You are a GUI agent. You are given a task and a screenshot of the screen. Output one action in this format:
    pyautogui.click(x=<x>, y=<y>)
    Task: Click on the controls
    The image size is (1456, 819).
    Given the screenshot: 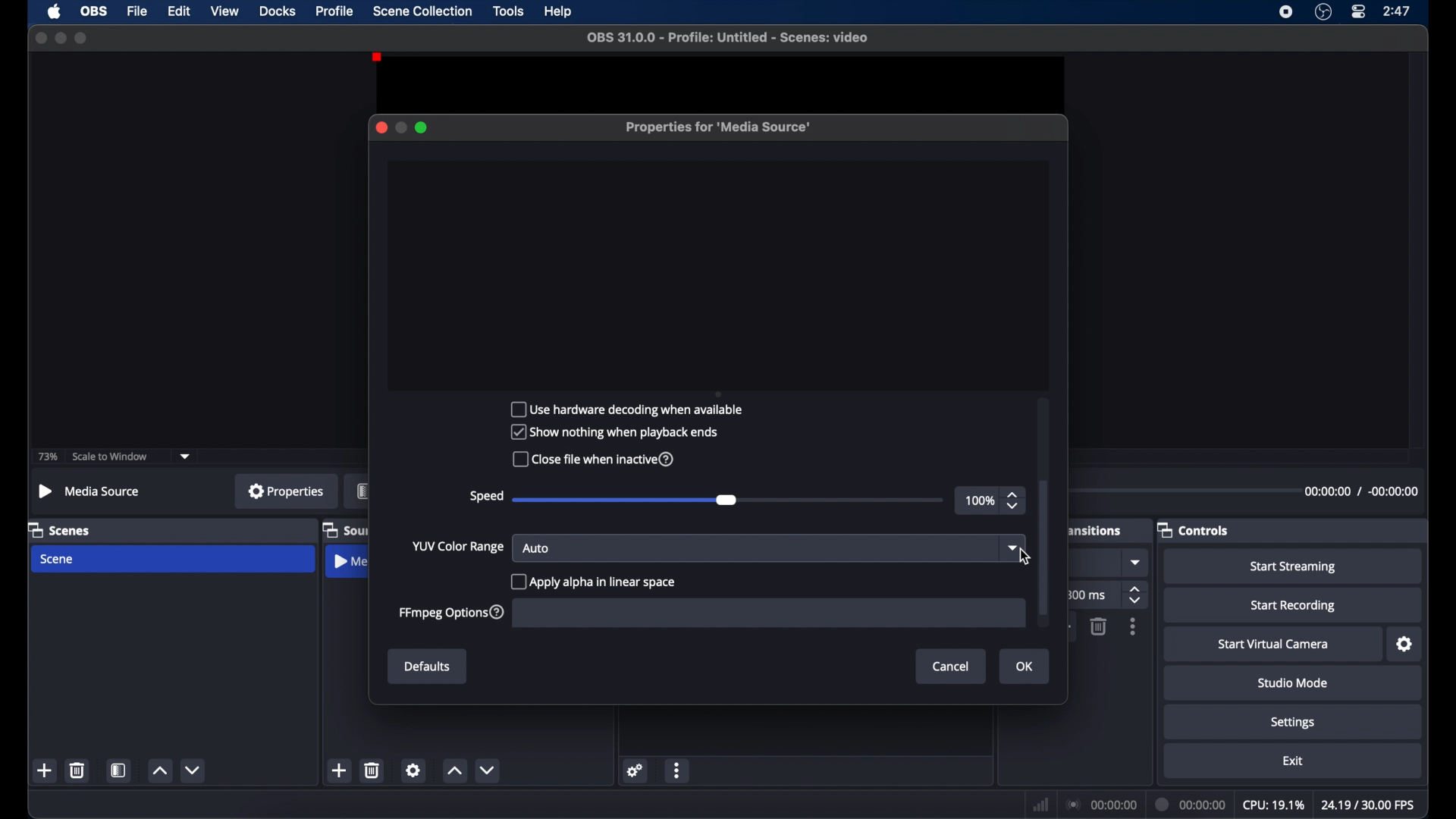 What is the action you would take?
    pyautogui.click(x=1194, y=529)
    